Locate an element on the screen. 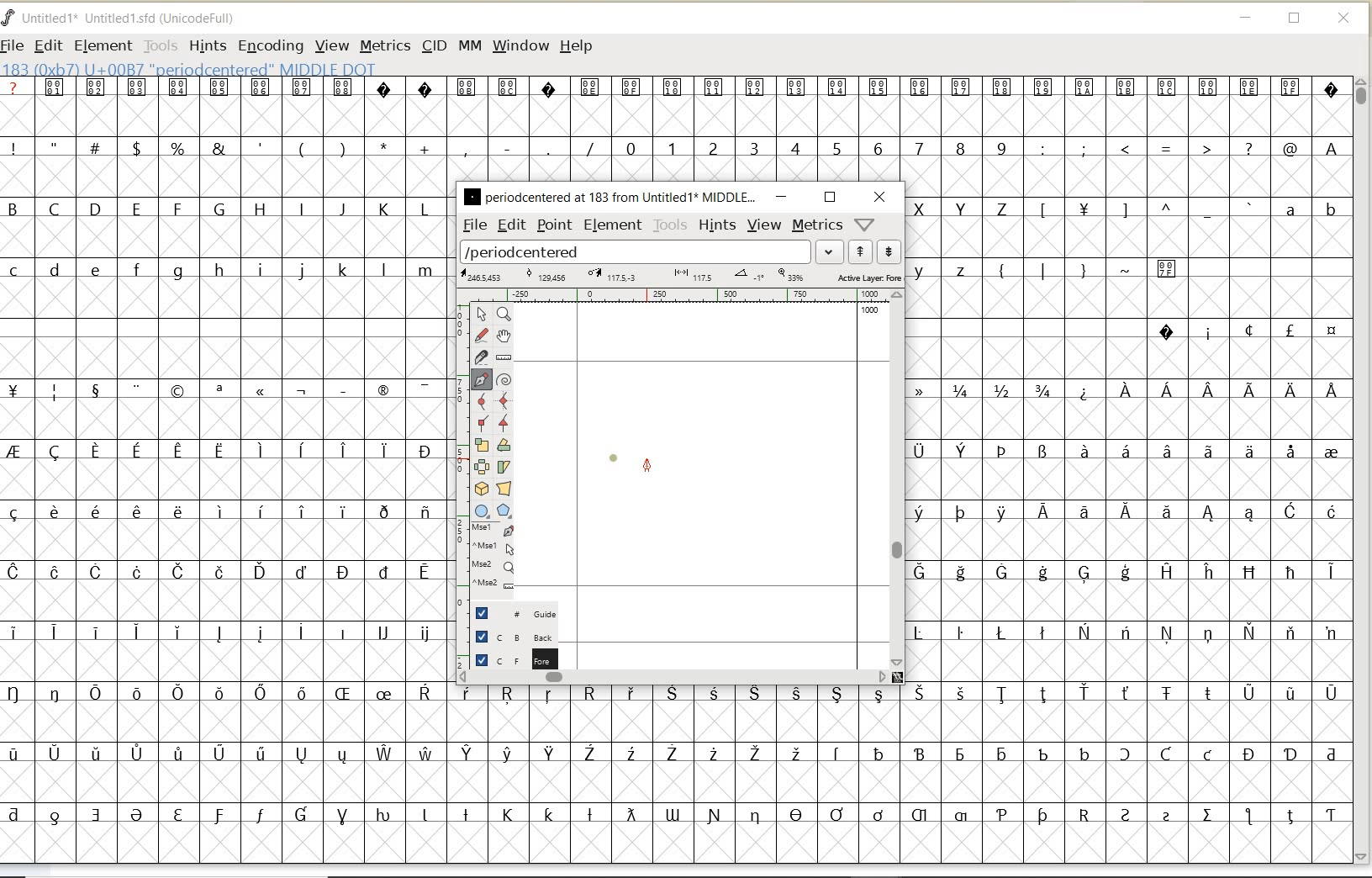  EDIT is located at coordinates (48, 47).